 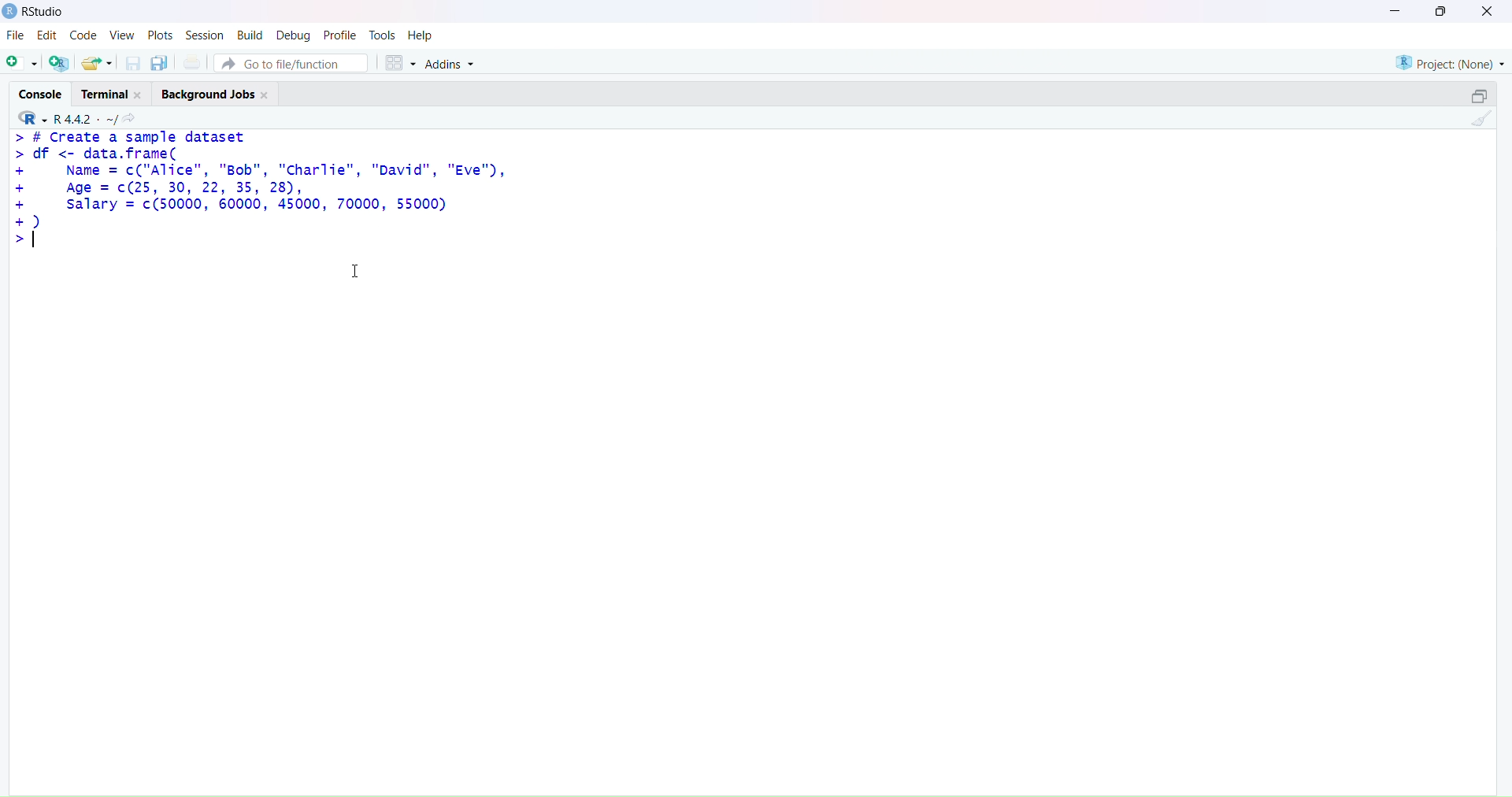 What do you see at coordinates (217, 94) in the screenshot?
I see `background jobs` at bounding box center [217, 94].